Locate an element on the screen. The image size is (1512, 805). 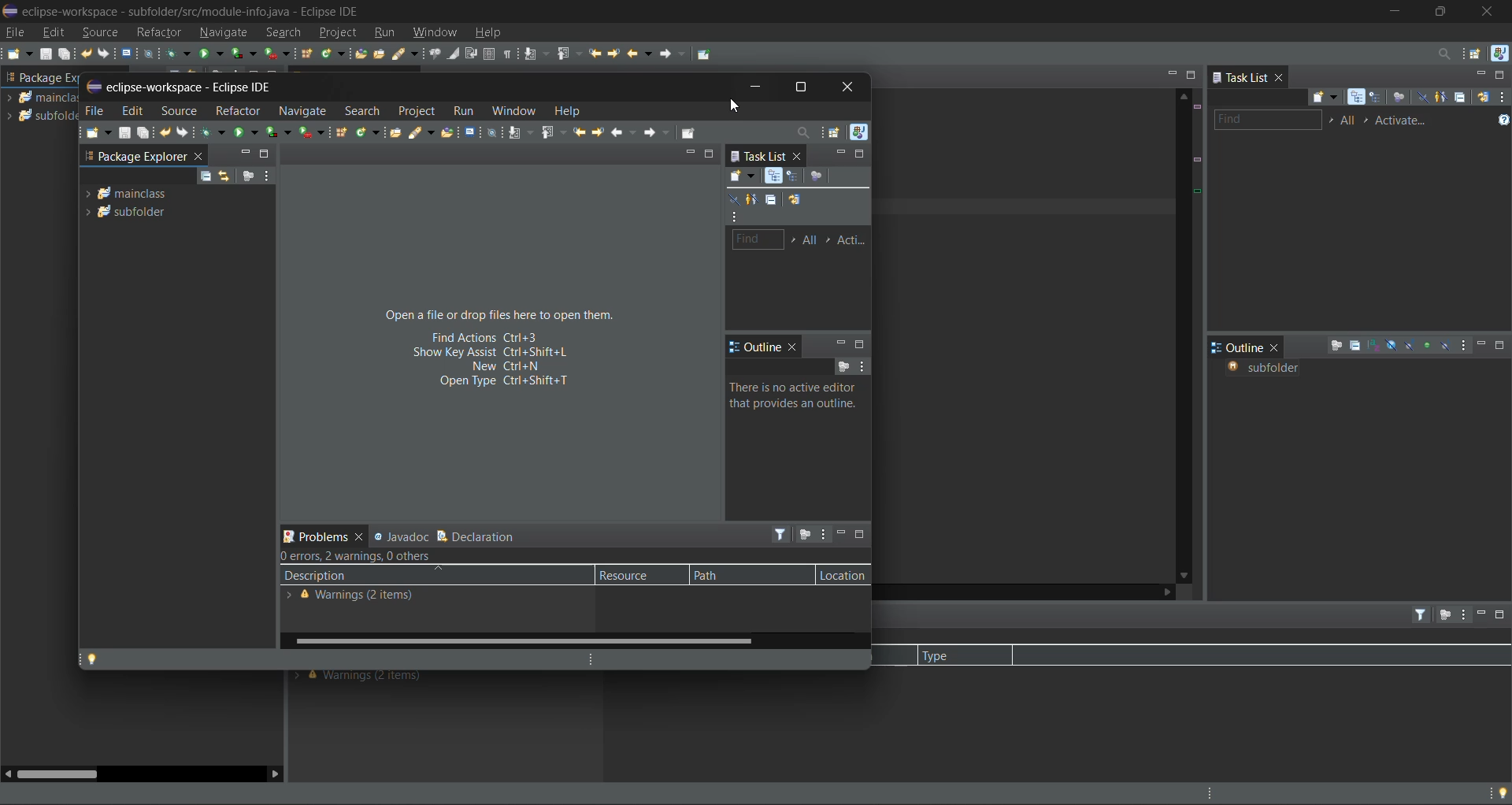
hide completed tasks is located at coordinates (733, 200).